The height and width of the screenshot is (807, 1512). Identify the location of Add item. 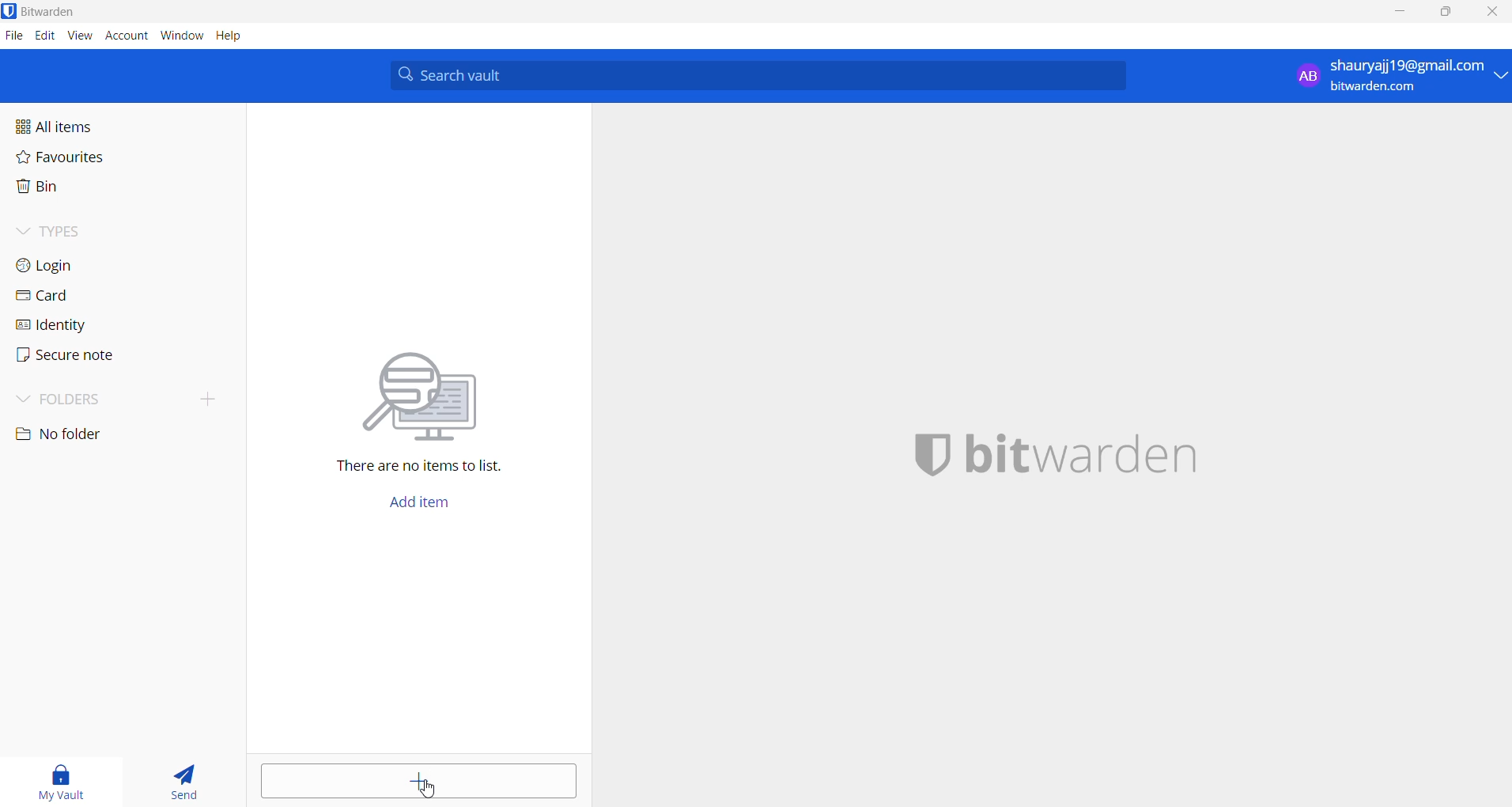
(418, 506).